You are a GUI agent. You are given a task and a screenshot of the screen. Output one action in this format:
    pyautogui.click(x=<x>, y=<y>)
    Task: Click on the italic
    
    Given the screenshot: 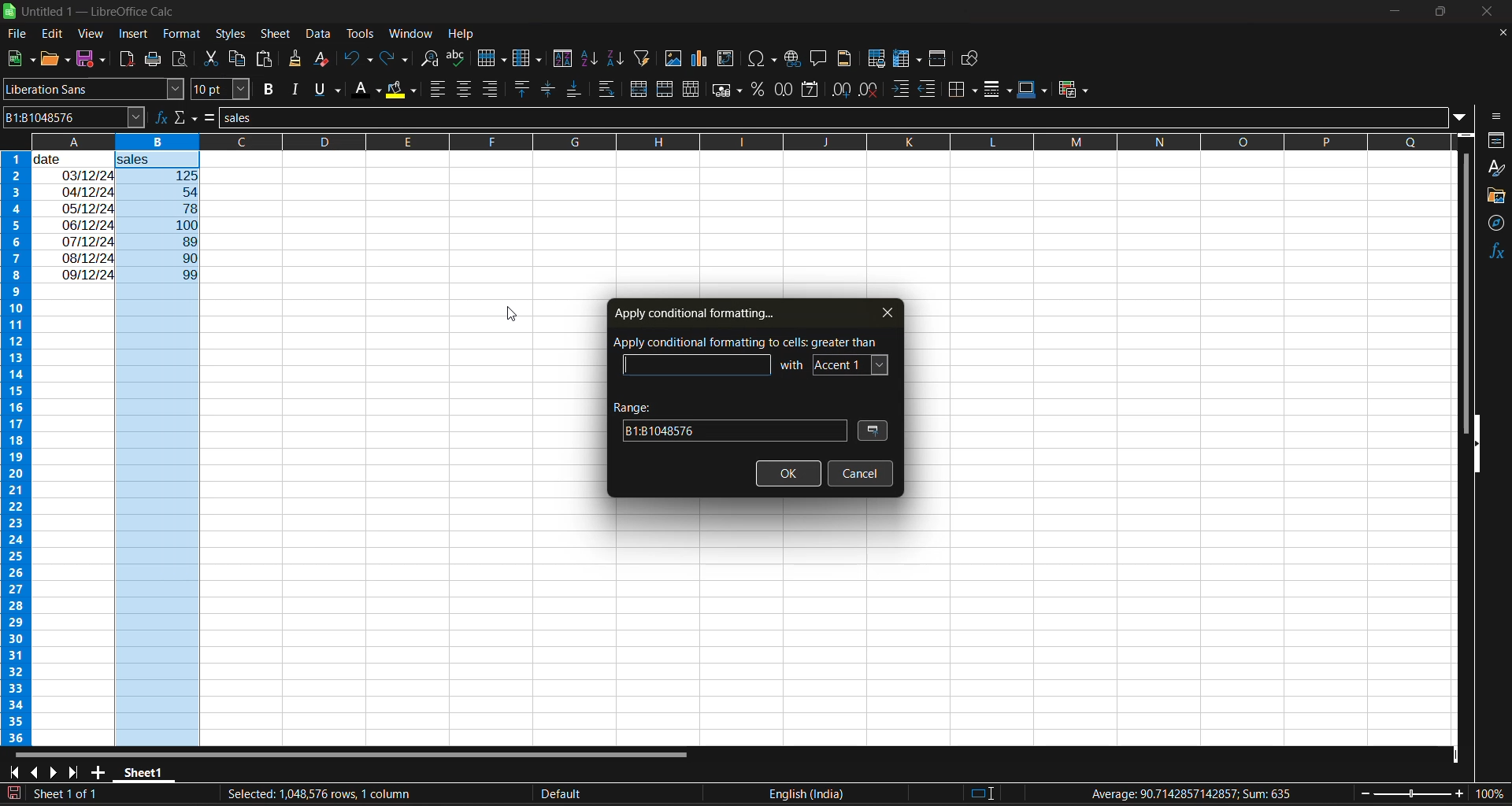 What is the action you would take?
    pyautogui.click(x=298, y=89)
    